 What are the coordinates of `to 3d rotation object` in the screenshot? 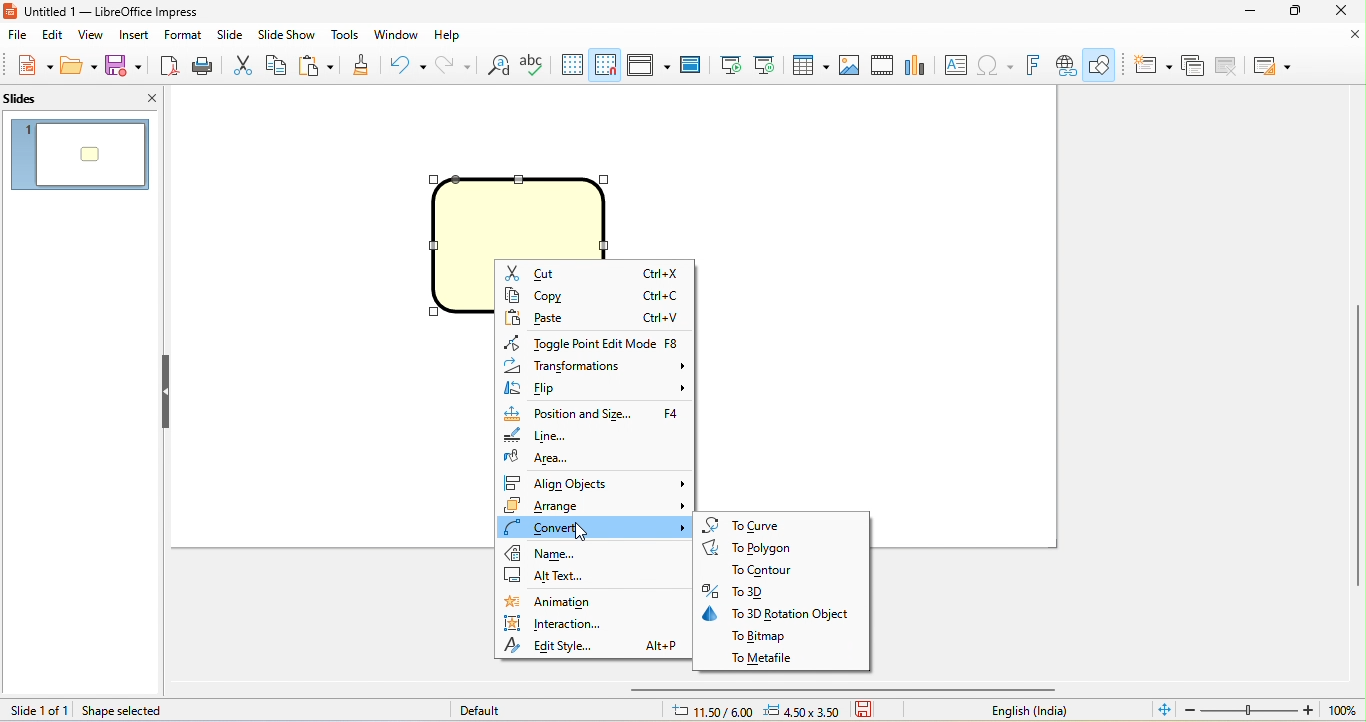 It's located at (783, 615).